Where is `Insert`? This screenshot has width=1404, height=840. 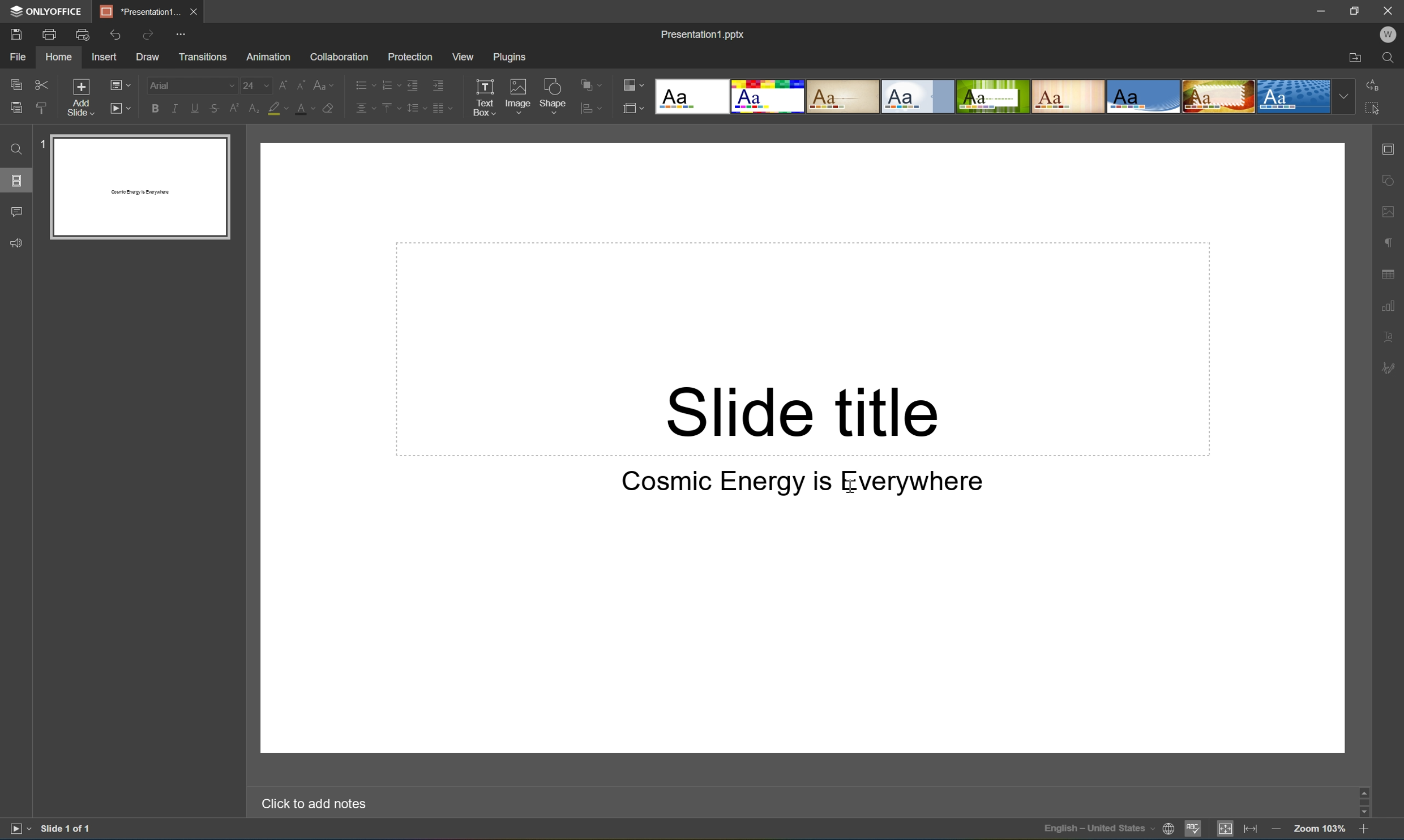
Insert is located at coordinates (105, 57).